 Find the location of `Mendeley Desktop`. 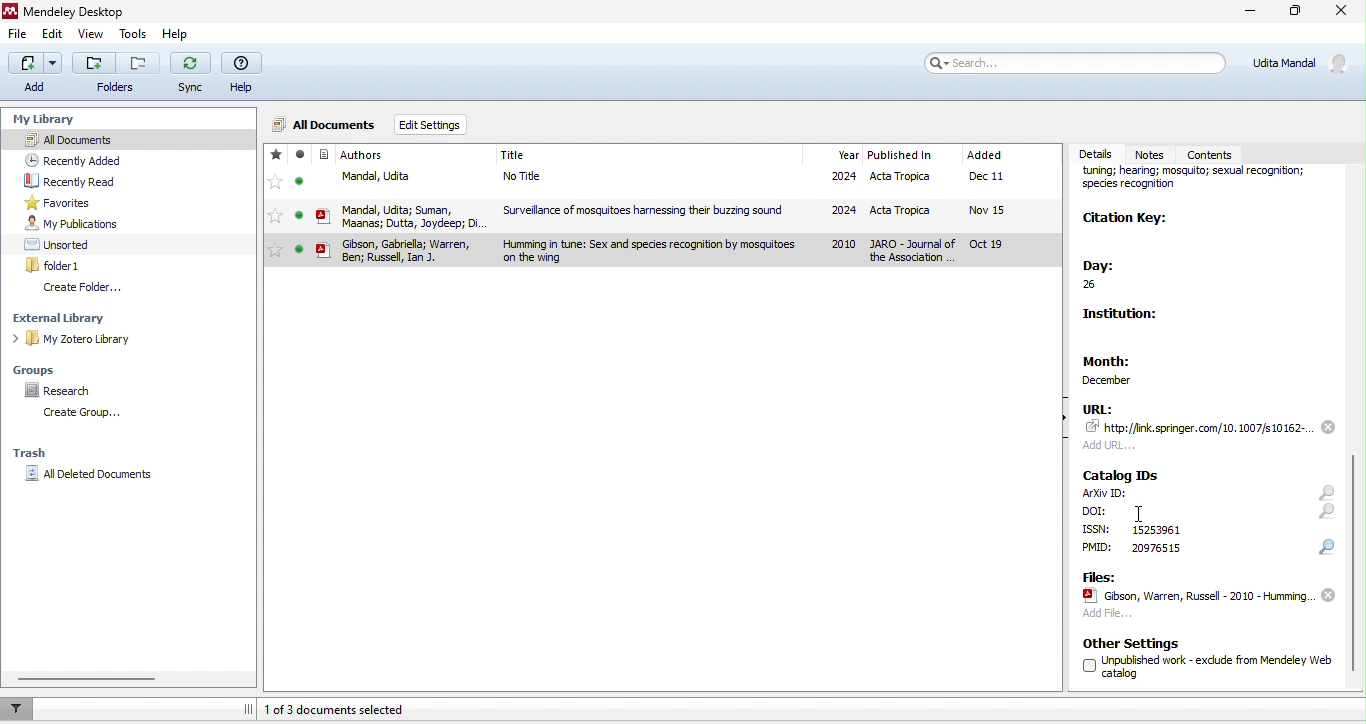

Mendeley Desktop is located at coordinates (82, 13).